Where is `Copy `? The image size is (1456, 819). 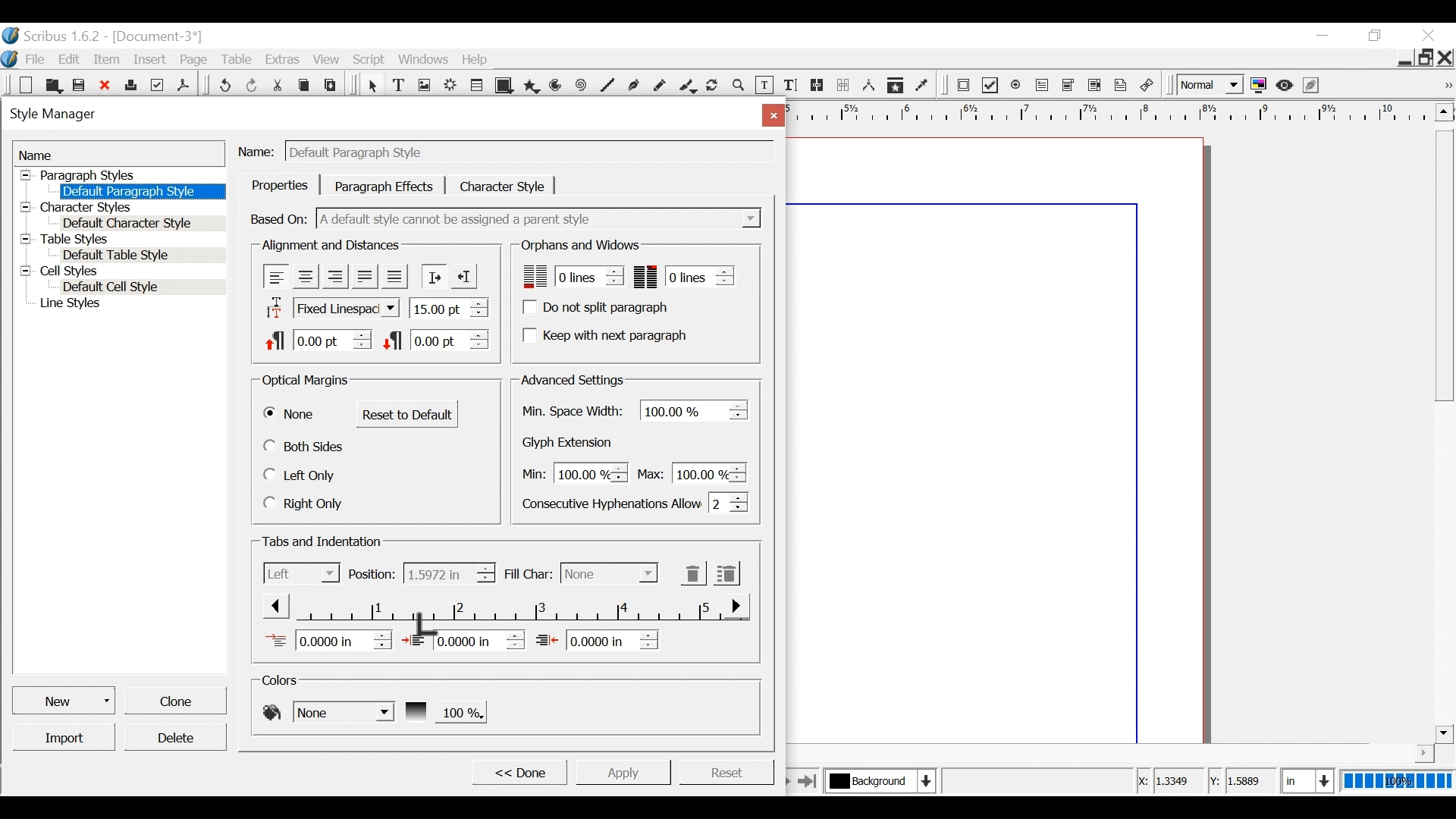 Copy  is located at coordinates (306, 83).